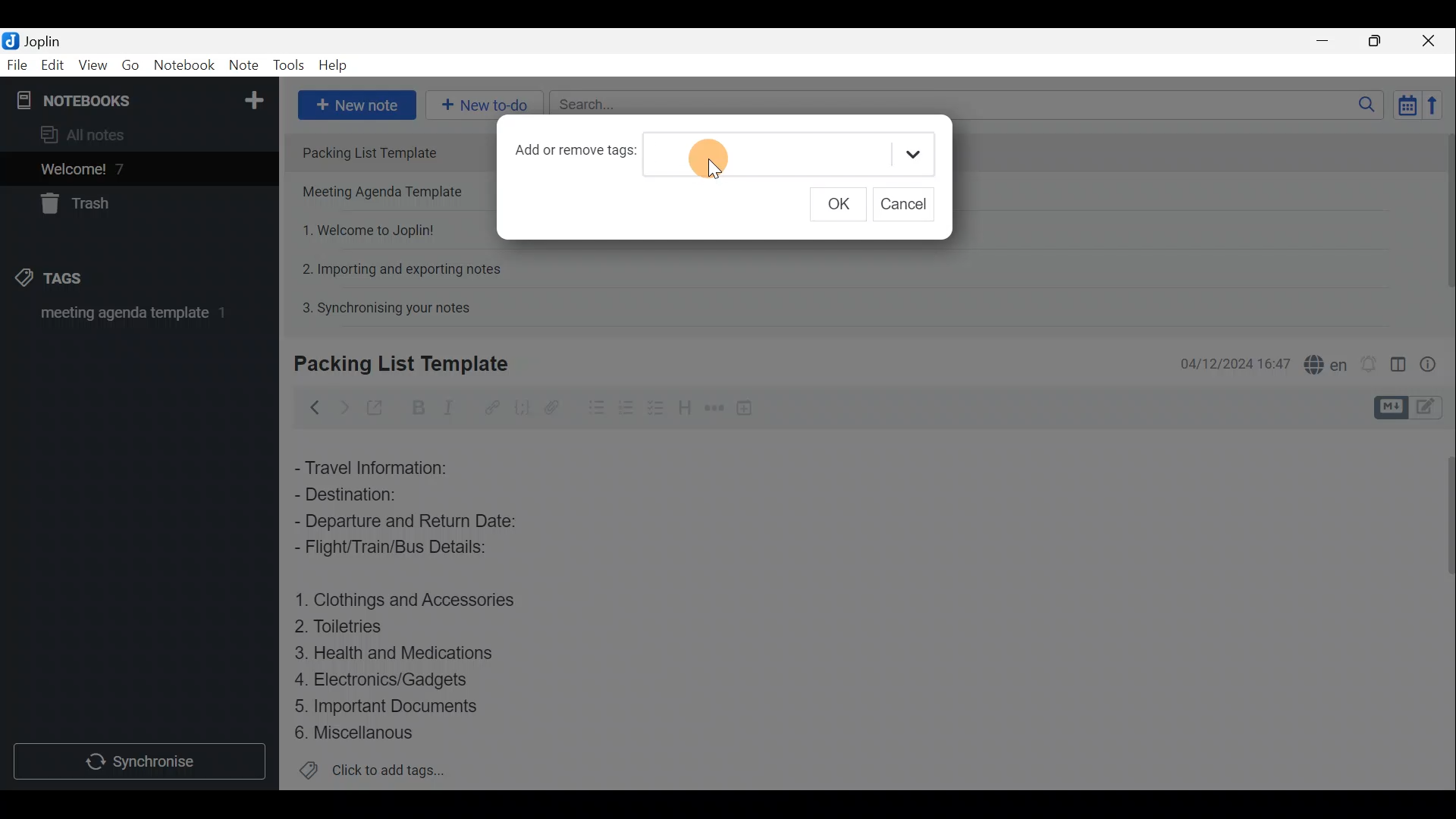 The height and width of the screenshot is (819, 1456). What do you see at coordinates (403, 654) in the screenshot?
I see `Health and Medications` at bounding box center [403, 654].